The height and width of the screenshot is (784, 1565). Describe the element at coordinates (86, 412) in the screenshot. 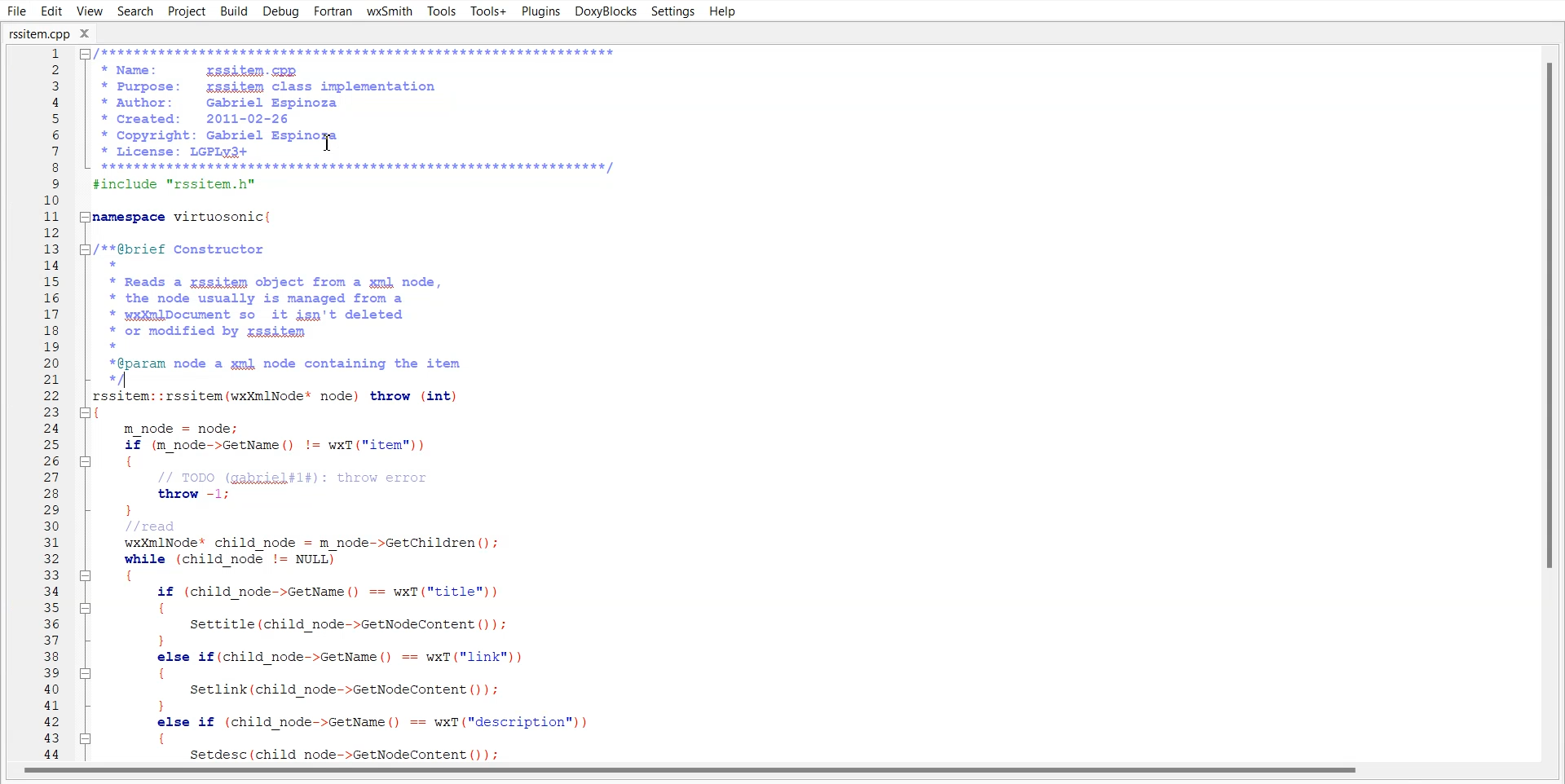

I see `Collapse` at that location.